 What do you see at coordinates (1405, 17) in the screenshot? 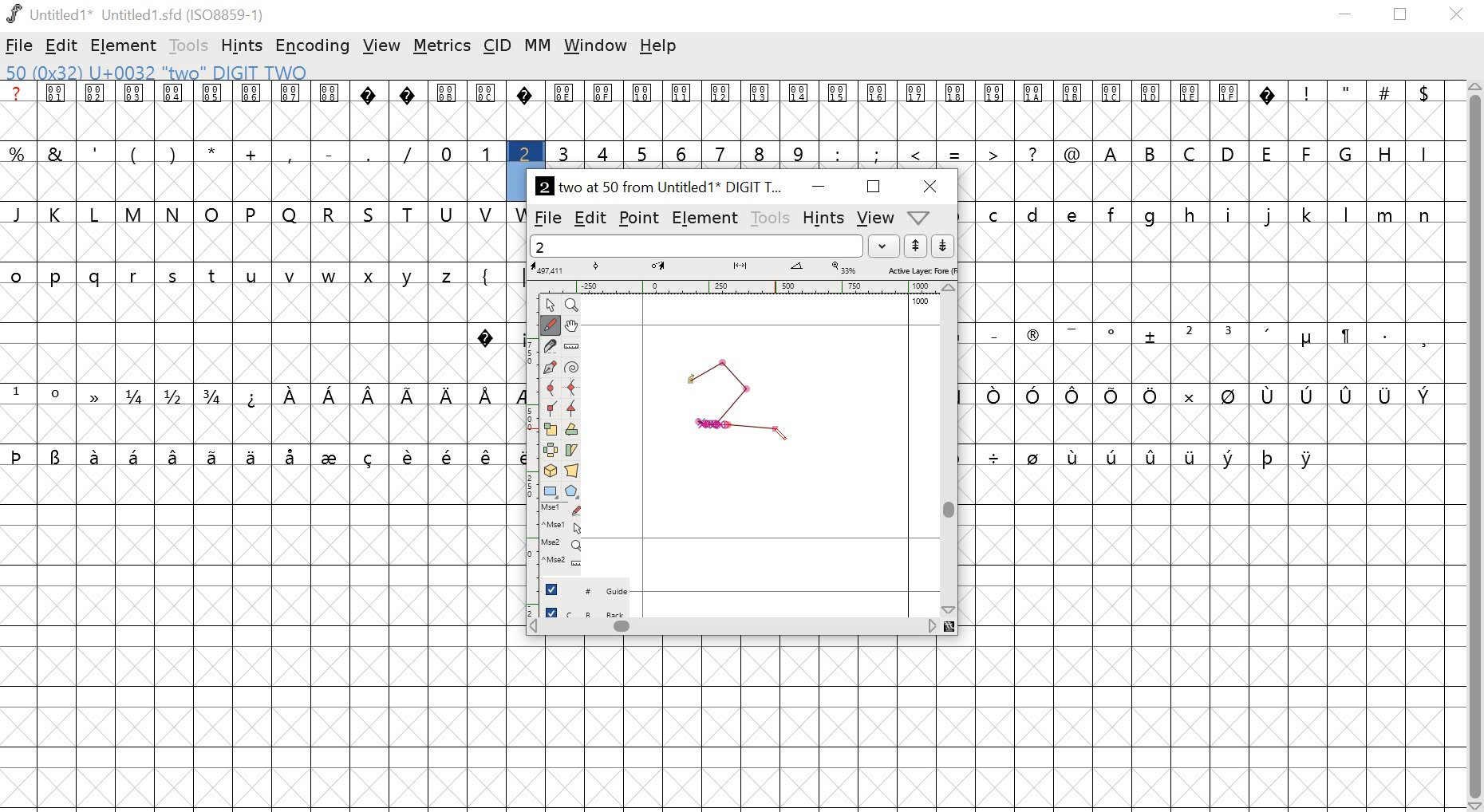
I see `restore down` at bounding box center [1405, 17].